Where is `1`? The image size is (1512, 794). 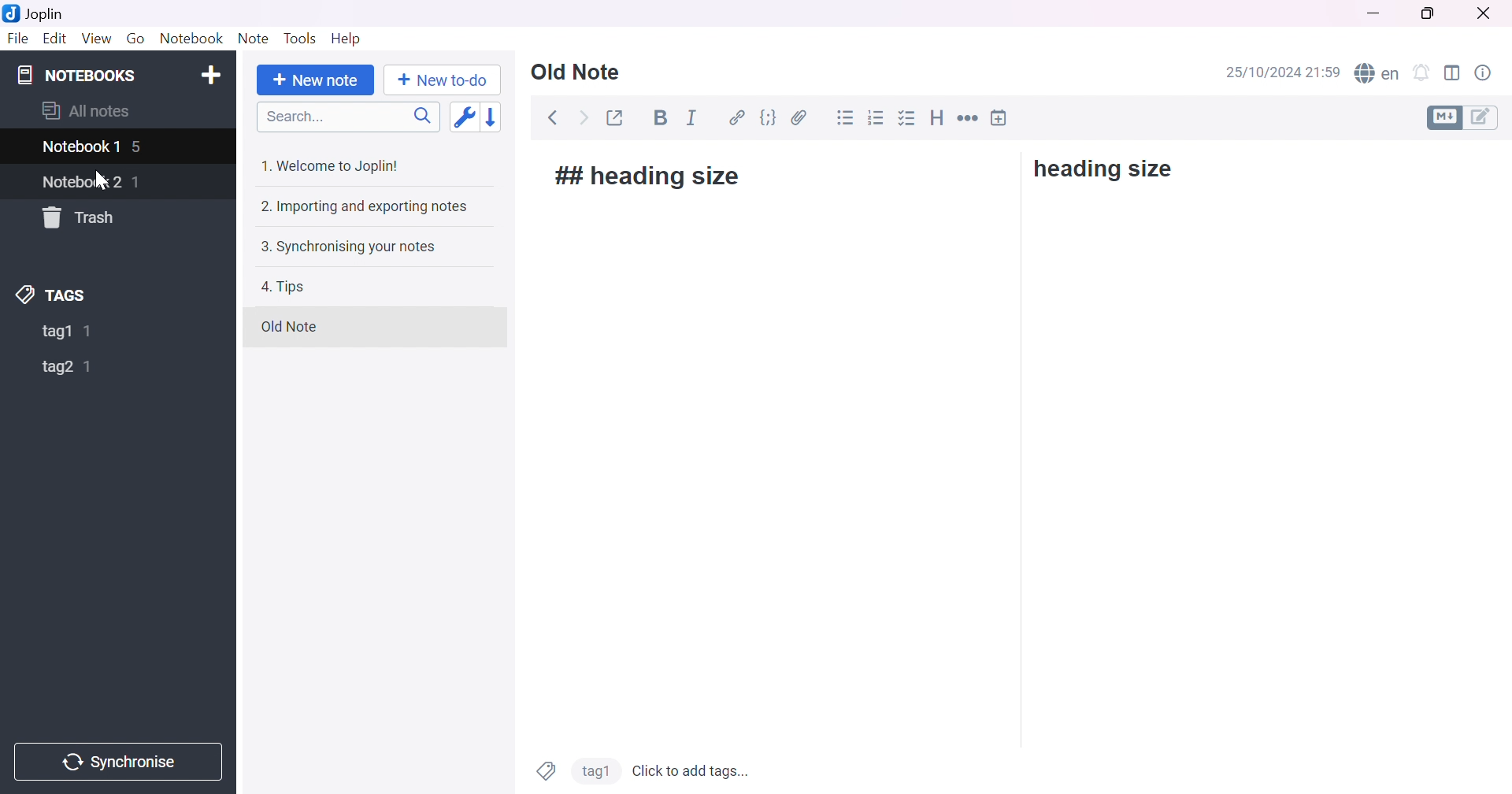
1 is located at coordinates (88, 367).